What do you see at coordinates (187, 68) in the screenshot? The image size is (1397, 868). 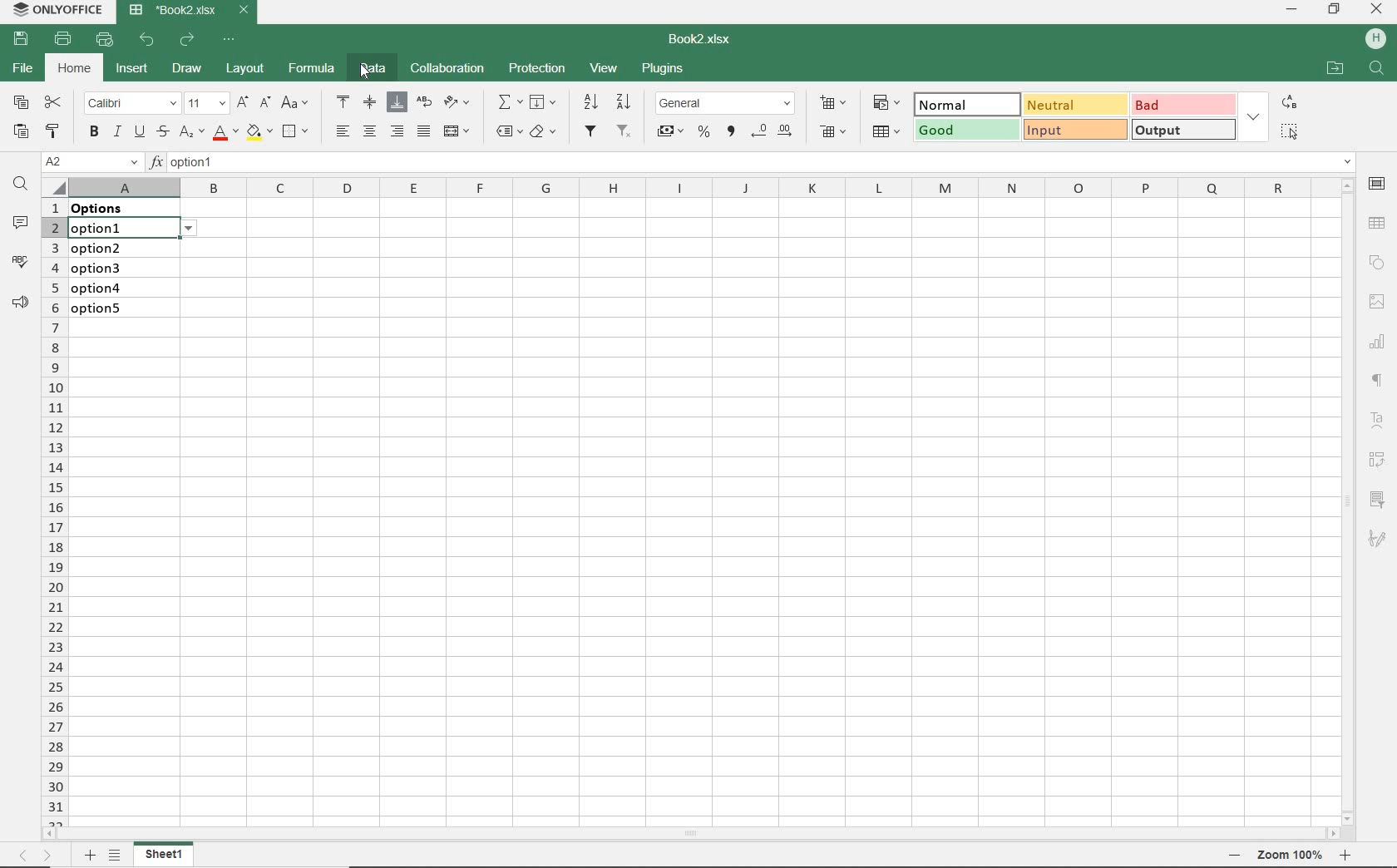 I see `DRAW` at bounding box center [187, 68].